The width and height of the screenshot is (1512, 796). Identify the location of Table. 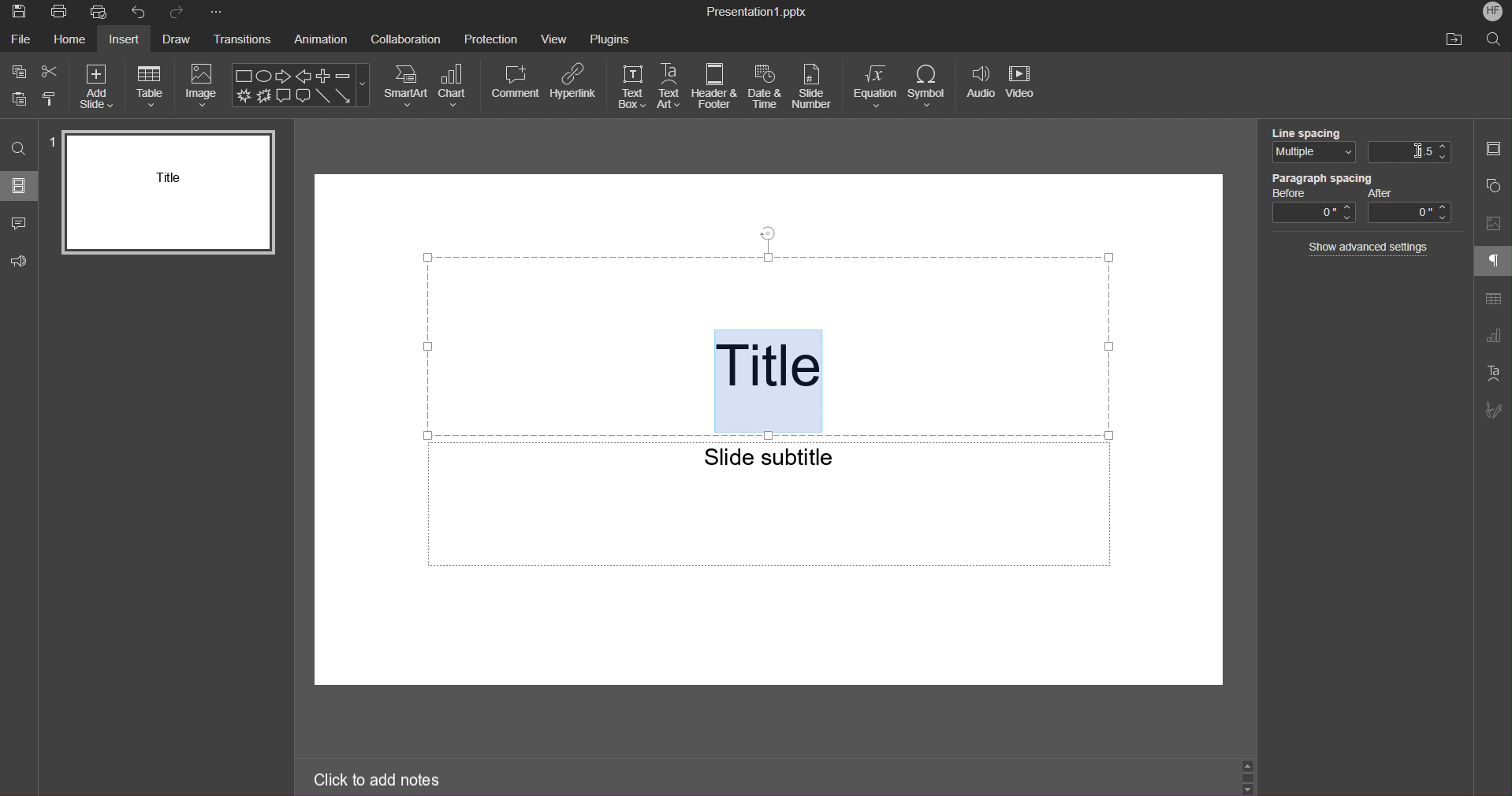
(153, 86).